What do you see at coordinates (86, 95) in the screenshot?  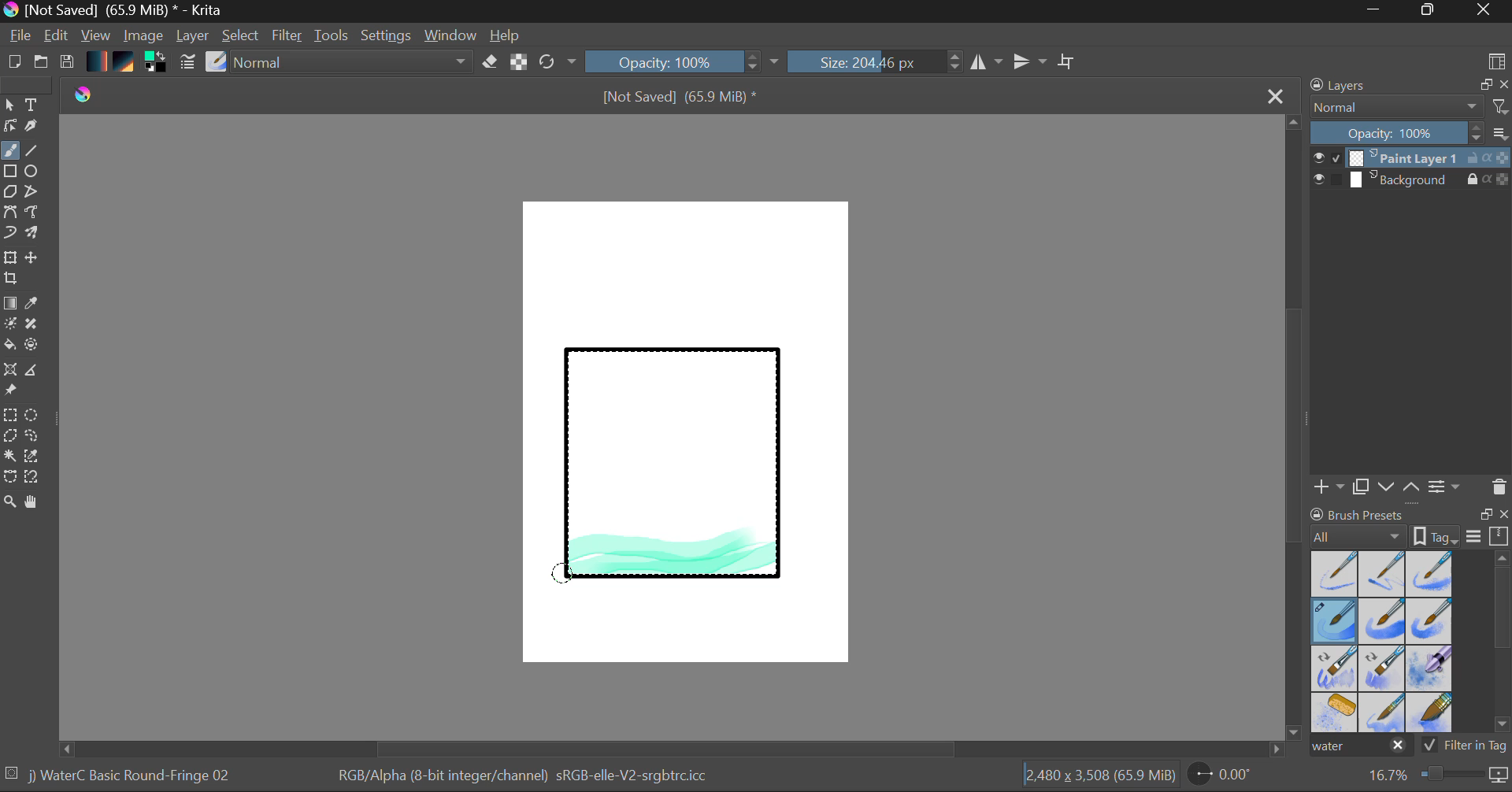 I see `logo` at bounding box center [86, 95].